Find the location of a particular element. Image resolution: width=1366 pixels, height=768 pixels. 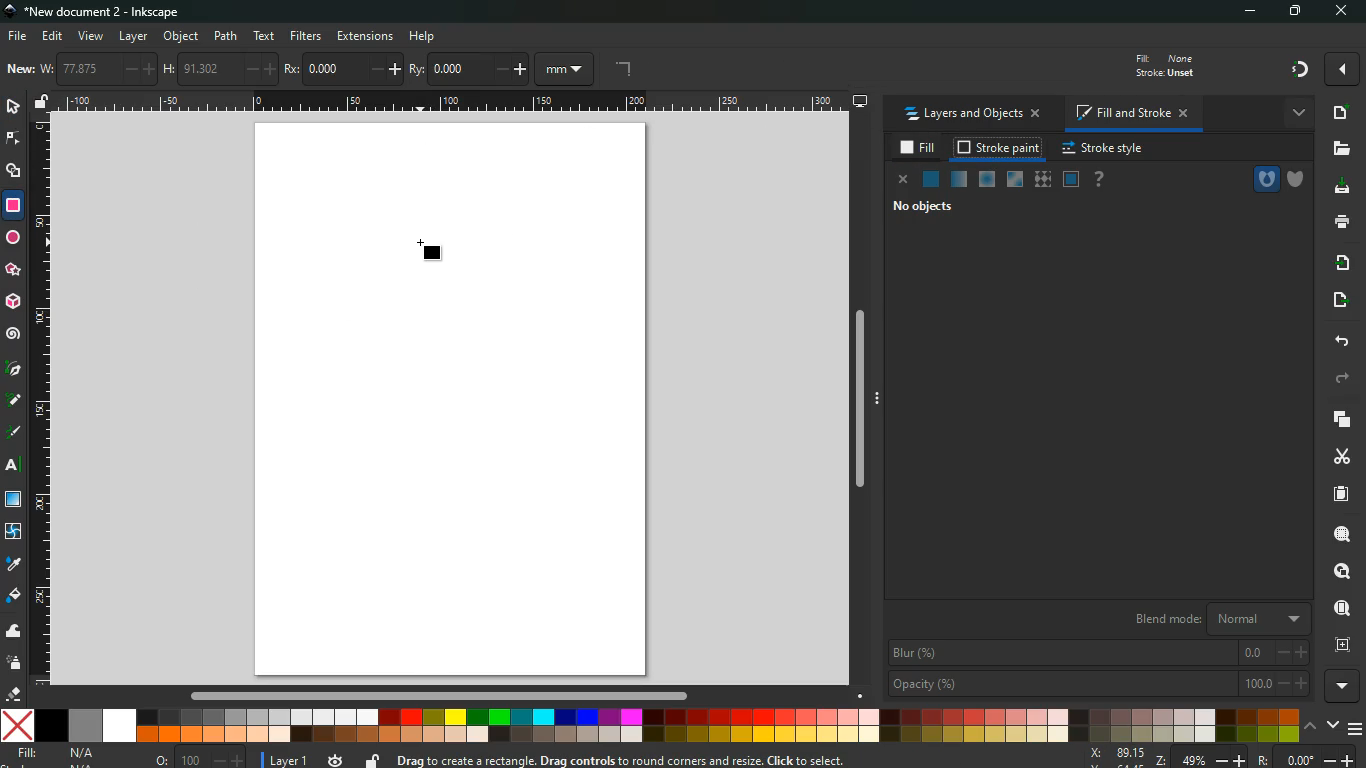

more is located at coordinates (1341, 686).